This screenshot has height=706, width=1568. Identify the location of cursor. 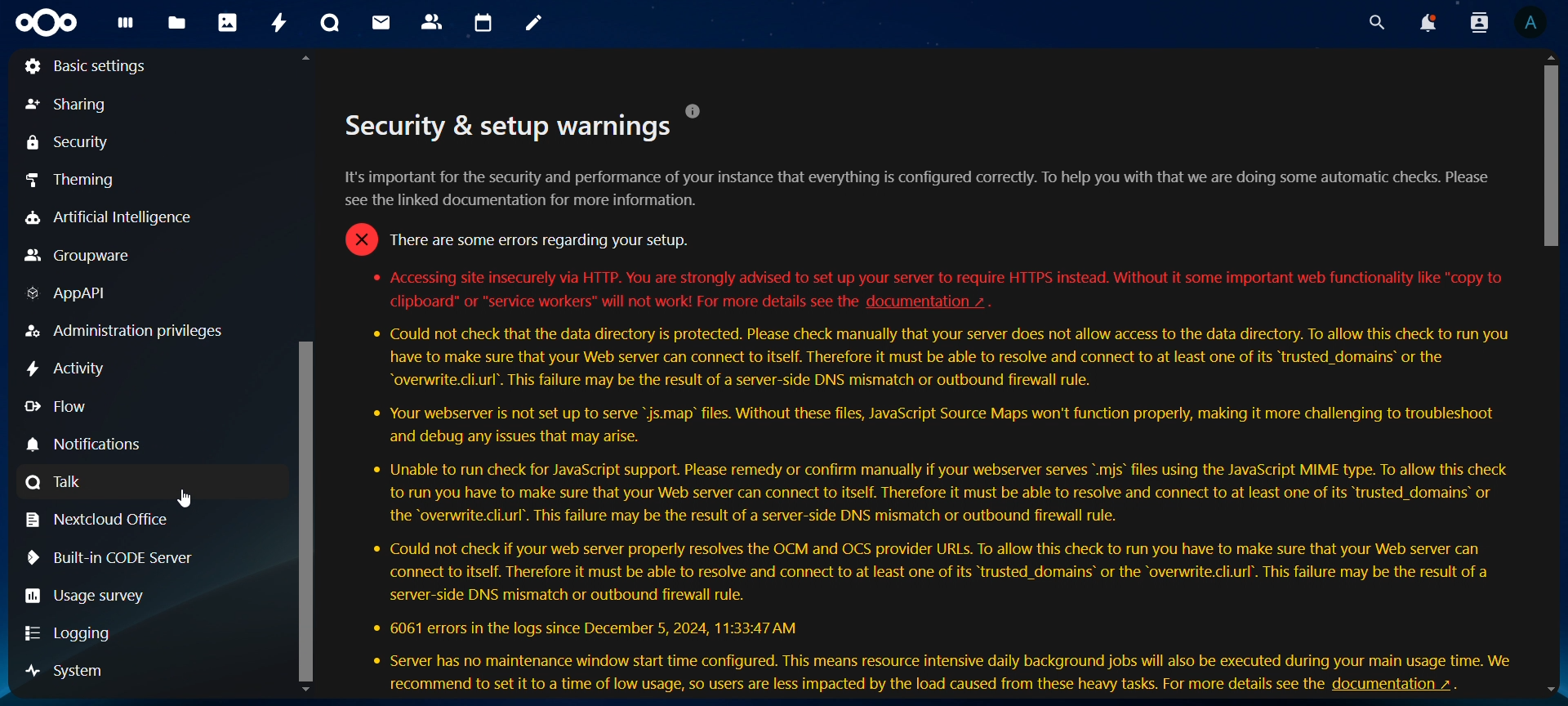
(187, 498).